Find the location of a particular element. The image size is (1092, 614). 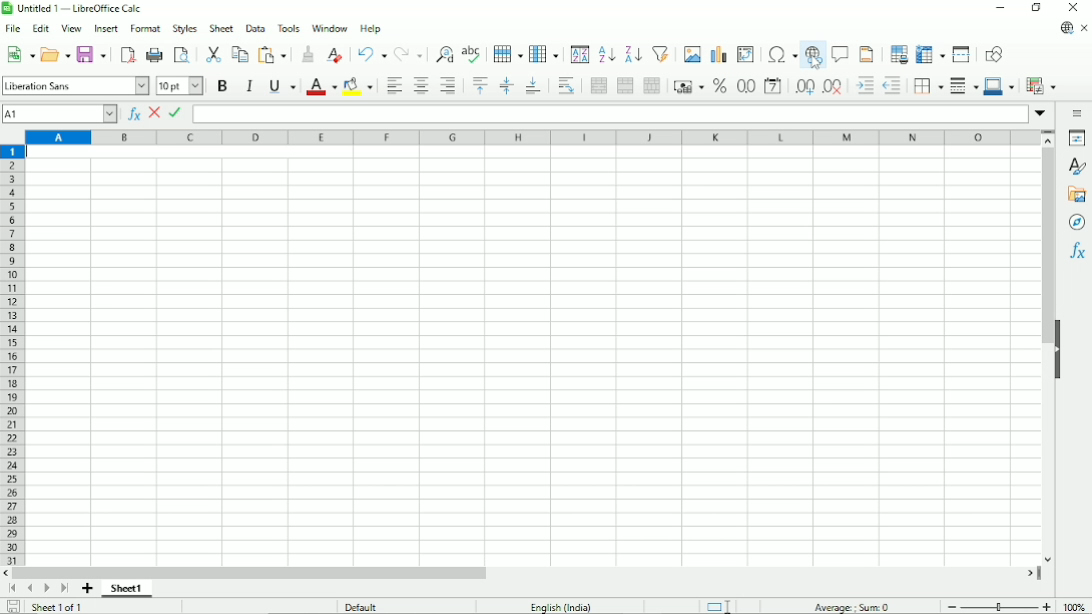

Unmerge cells is located at coordinates (652, 85).